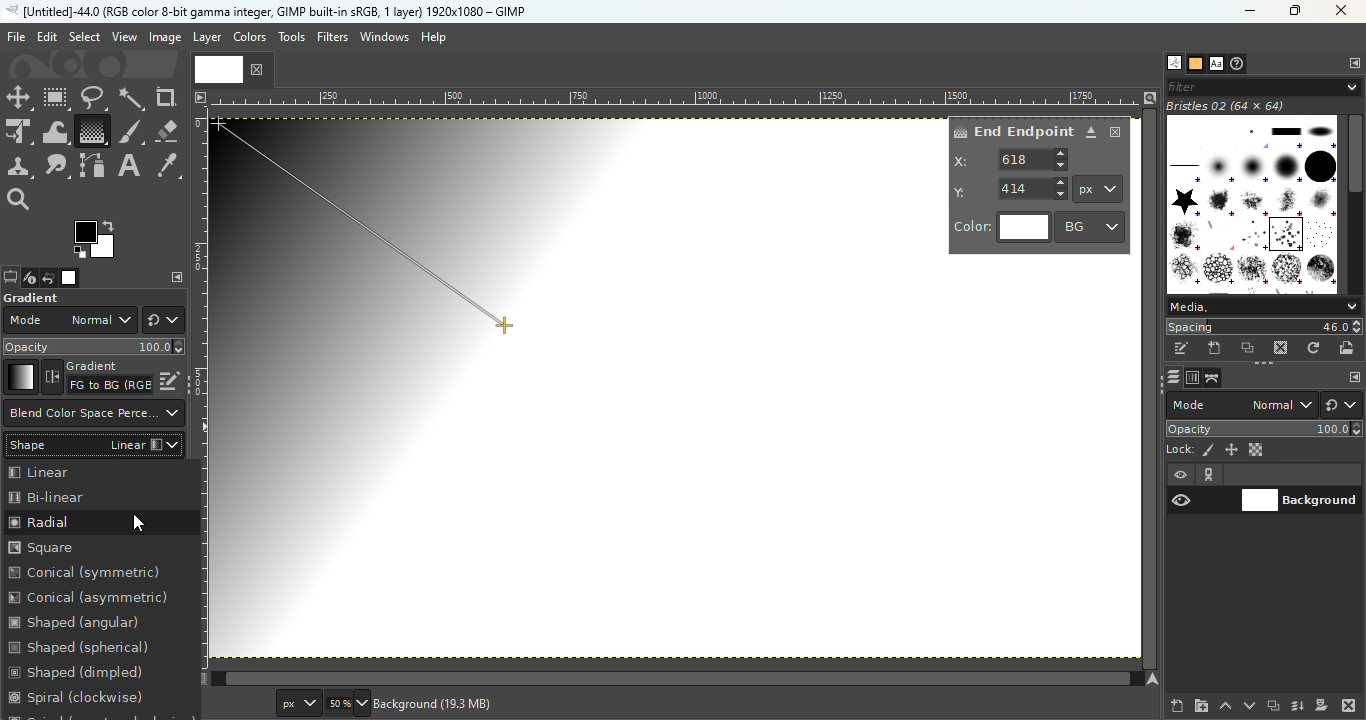  What do you see at coordinates (98, 240) in the screenshot?
I see `The active background color` at bounding box center [98, 240].